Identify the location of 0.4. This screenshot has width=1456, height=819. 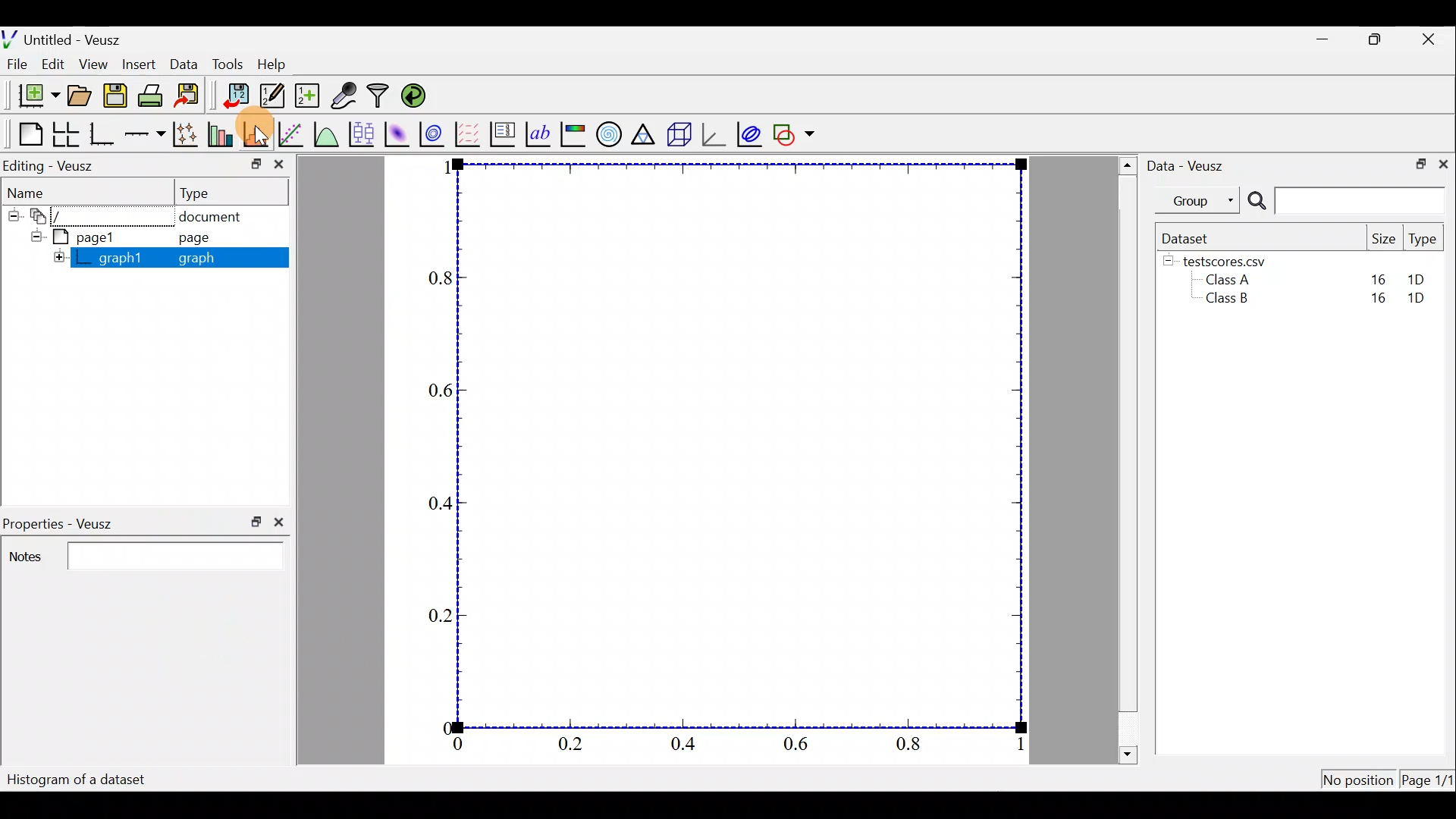
(433, 502).